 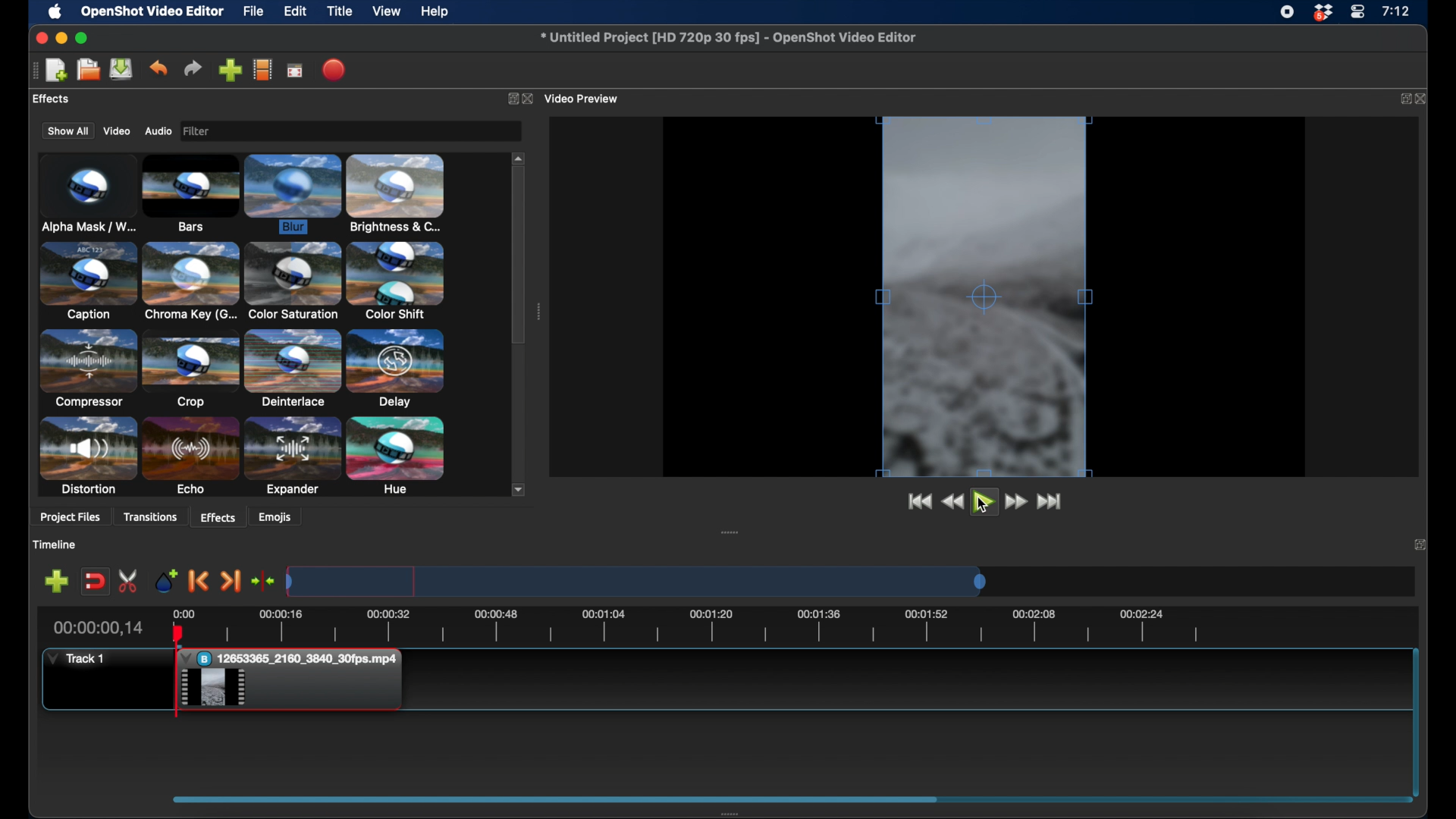 I want to click on drag handle, so click(x=730, y=532).